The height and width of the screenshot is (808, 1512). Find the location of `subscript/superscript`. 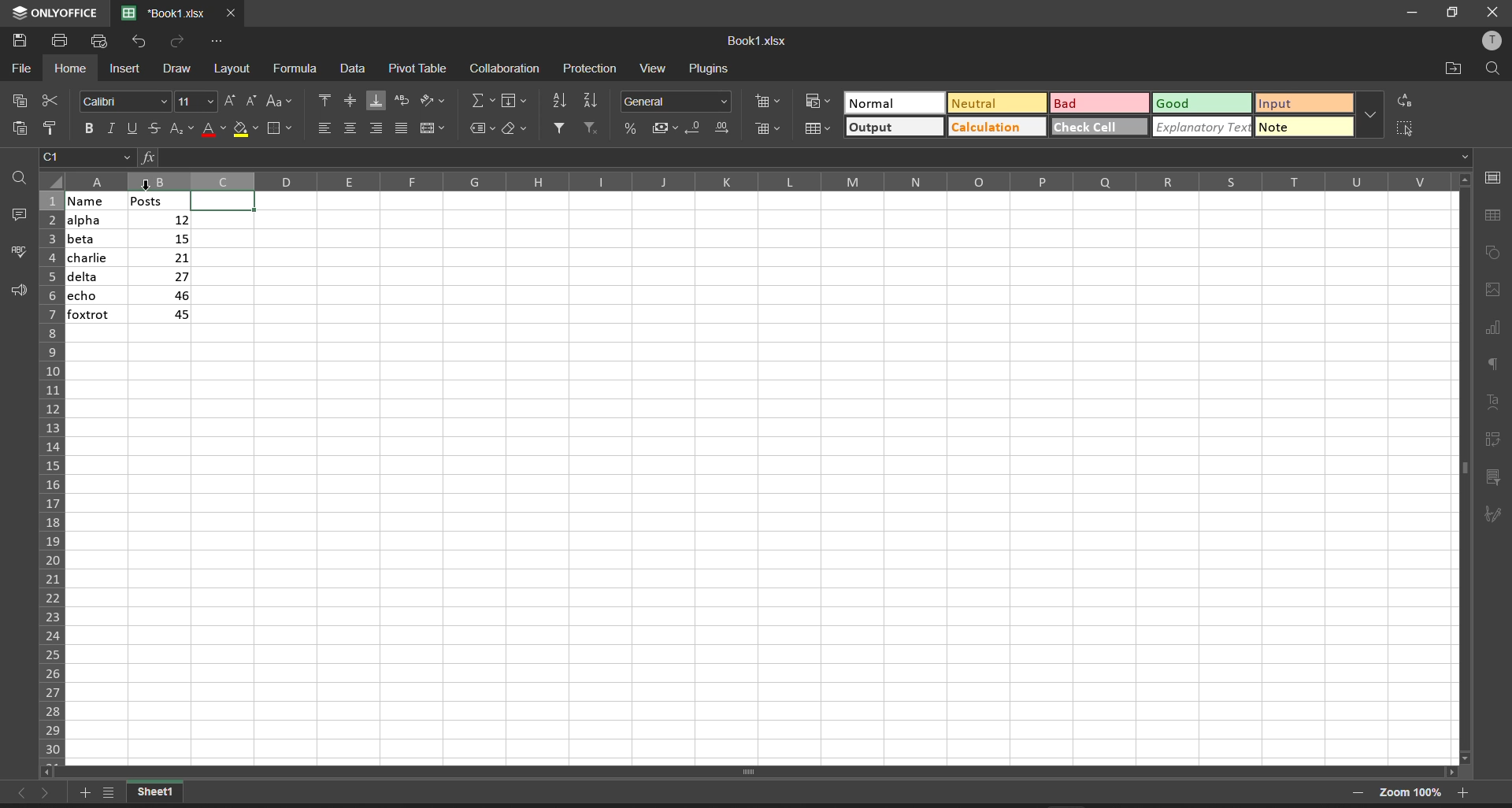

subscript/superscript is located at coordinates (182, 129).